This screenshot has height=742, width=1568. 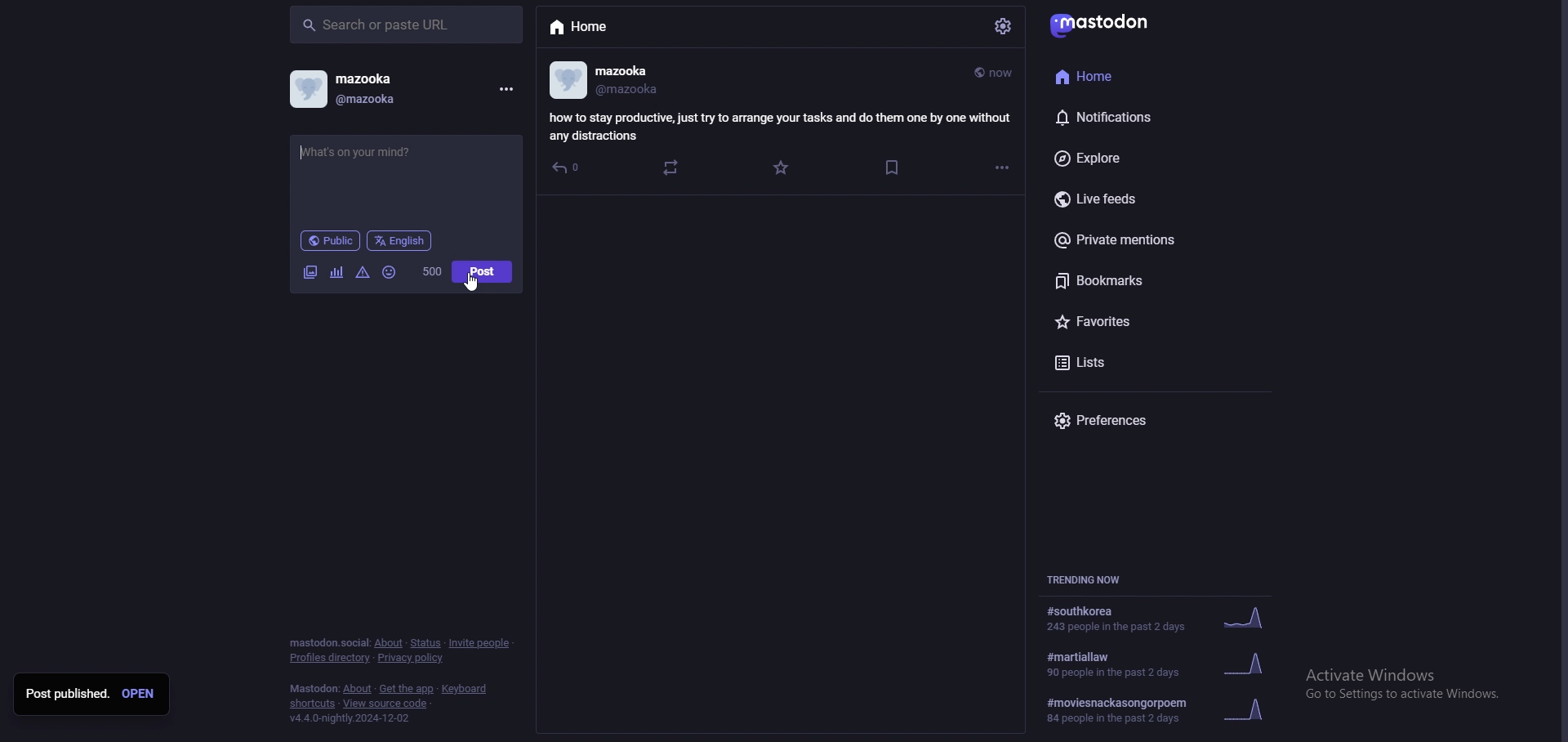 What do you see at coordinates (595, 28) in the screenshot?
I see `home` at bounding box center [595, 28].